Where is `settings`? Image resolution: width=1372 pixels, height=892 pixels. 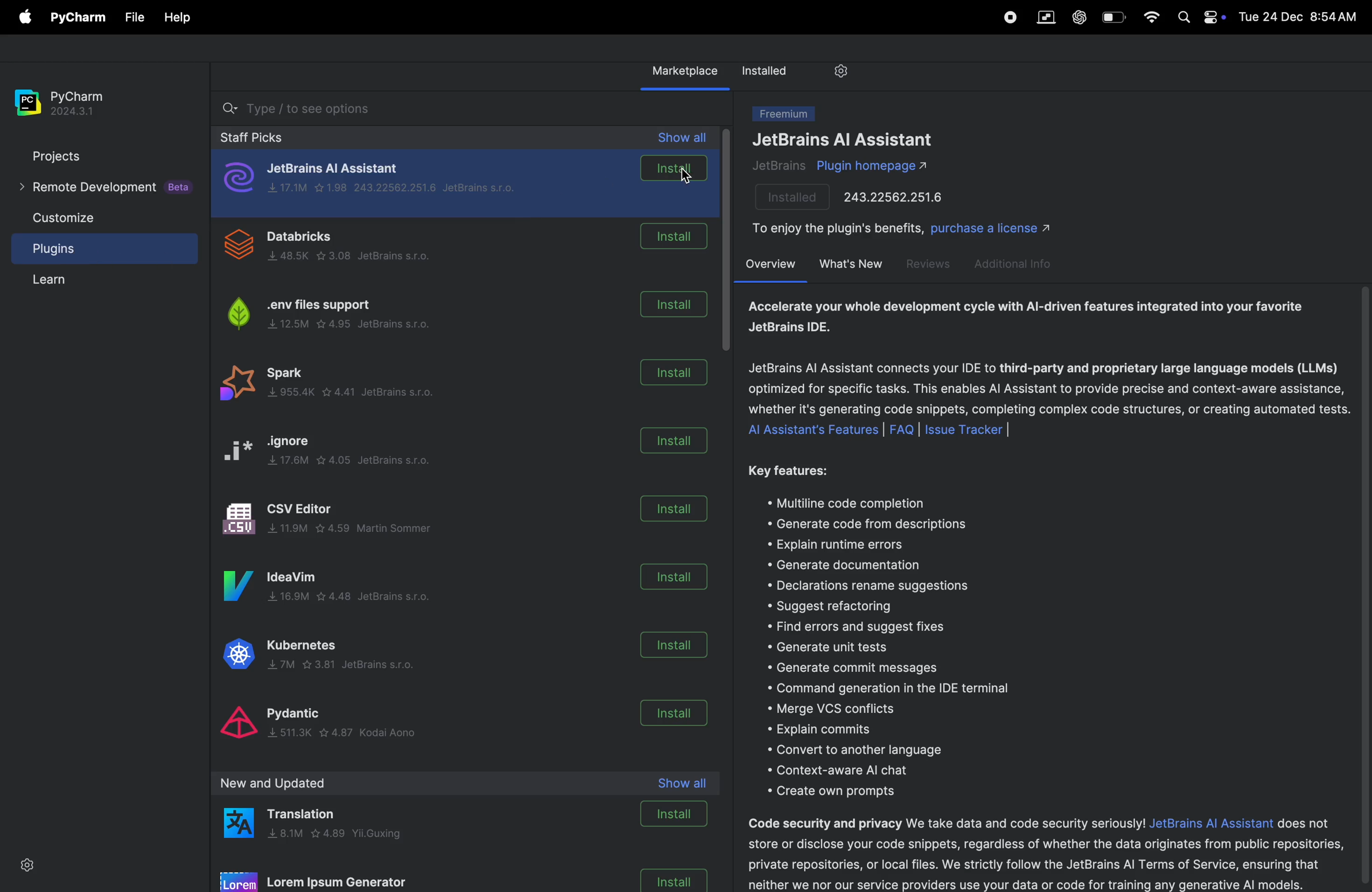
settings is located at coordinates (847, 71).